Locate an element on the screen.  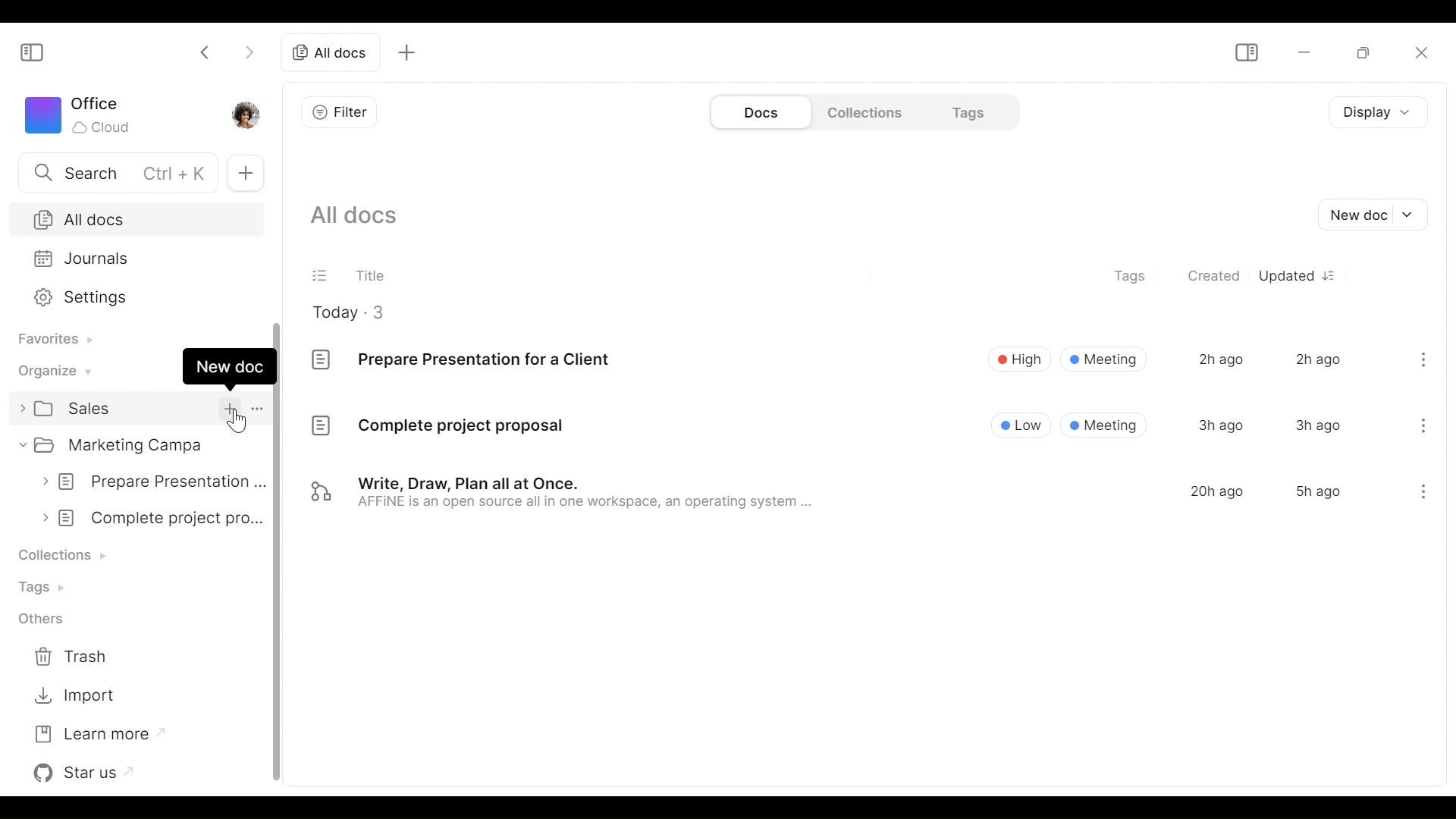
New doc is located at coordinates (229, 366).